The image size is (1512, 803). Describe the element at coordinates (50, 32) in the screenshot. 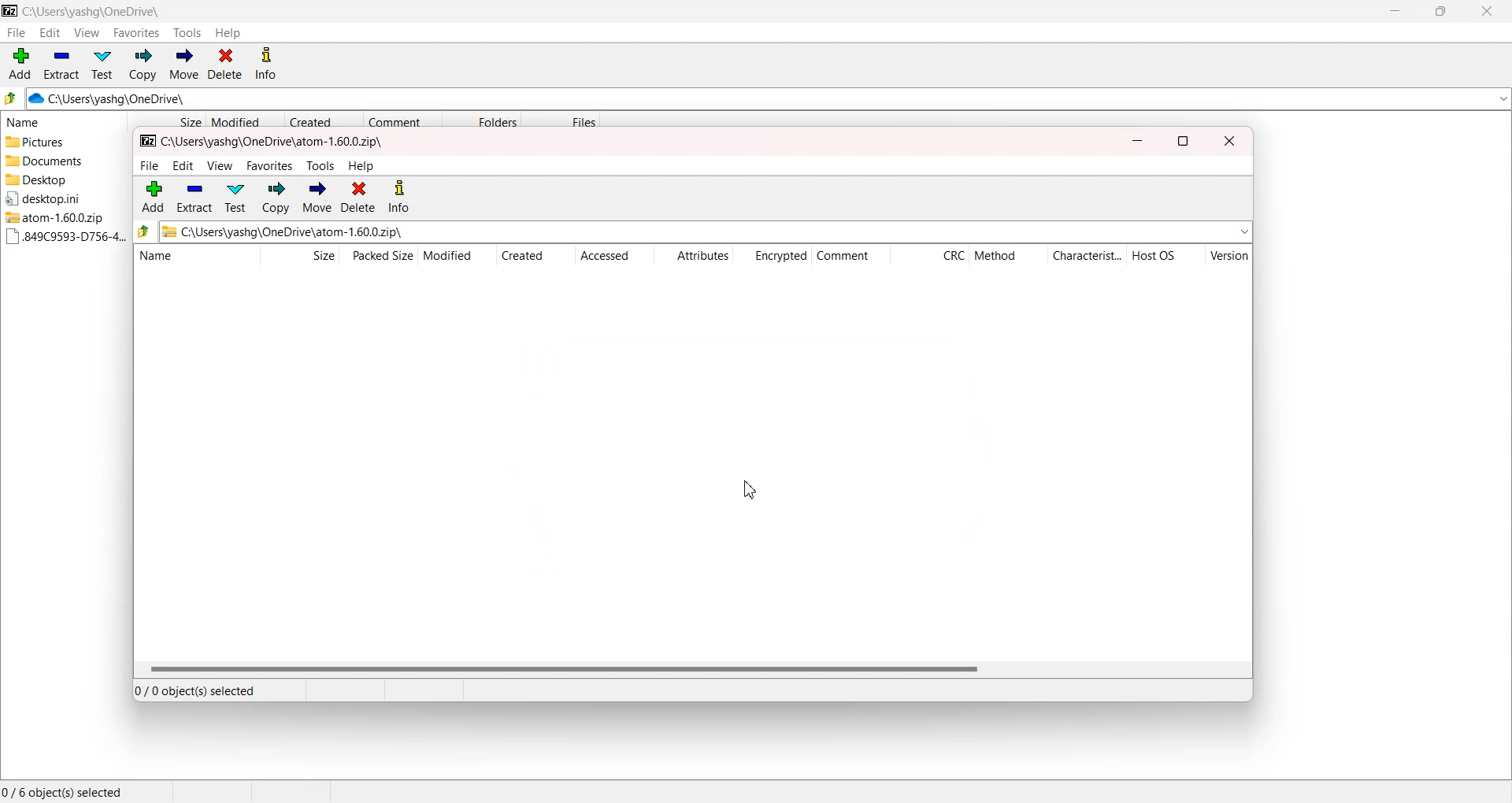

I see `Edit` at that location.